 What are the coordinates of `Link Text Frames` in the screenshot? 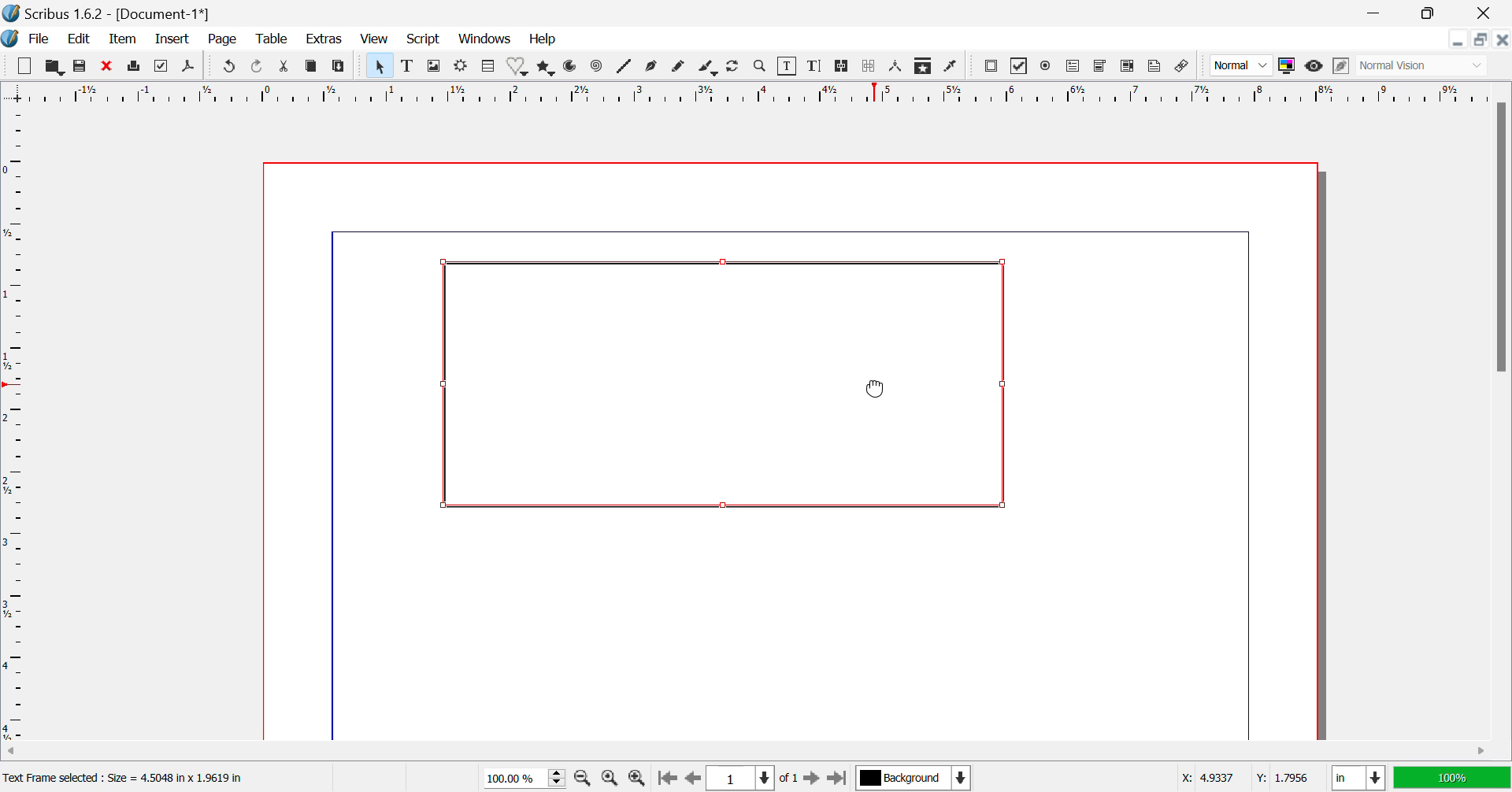 It's located at (839, 68).